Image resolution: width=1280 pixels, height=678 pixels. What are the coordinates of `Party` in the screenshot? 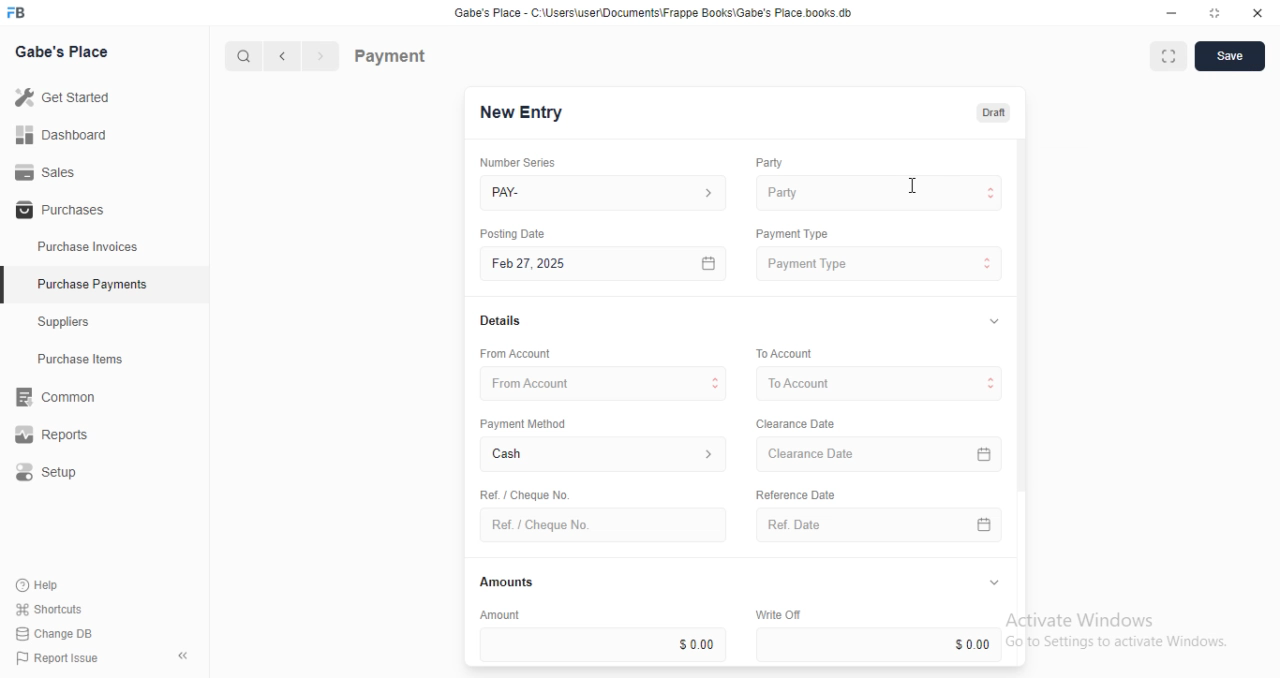 It's located at (767, 163).